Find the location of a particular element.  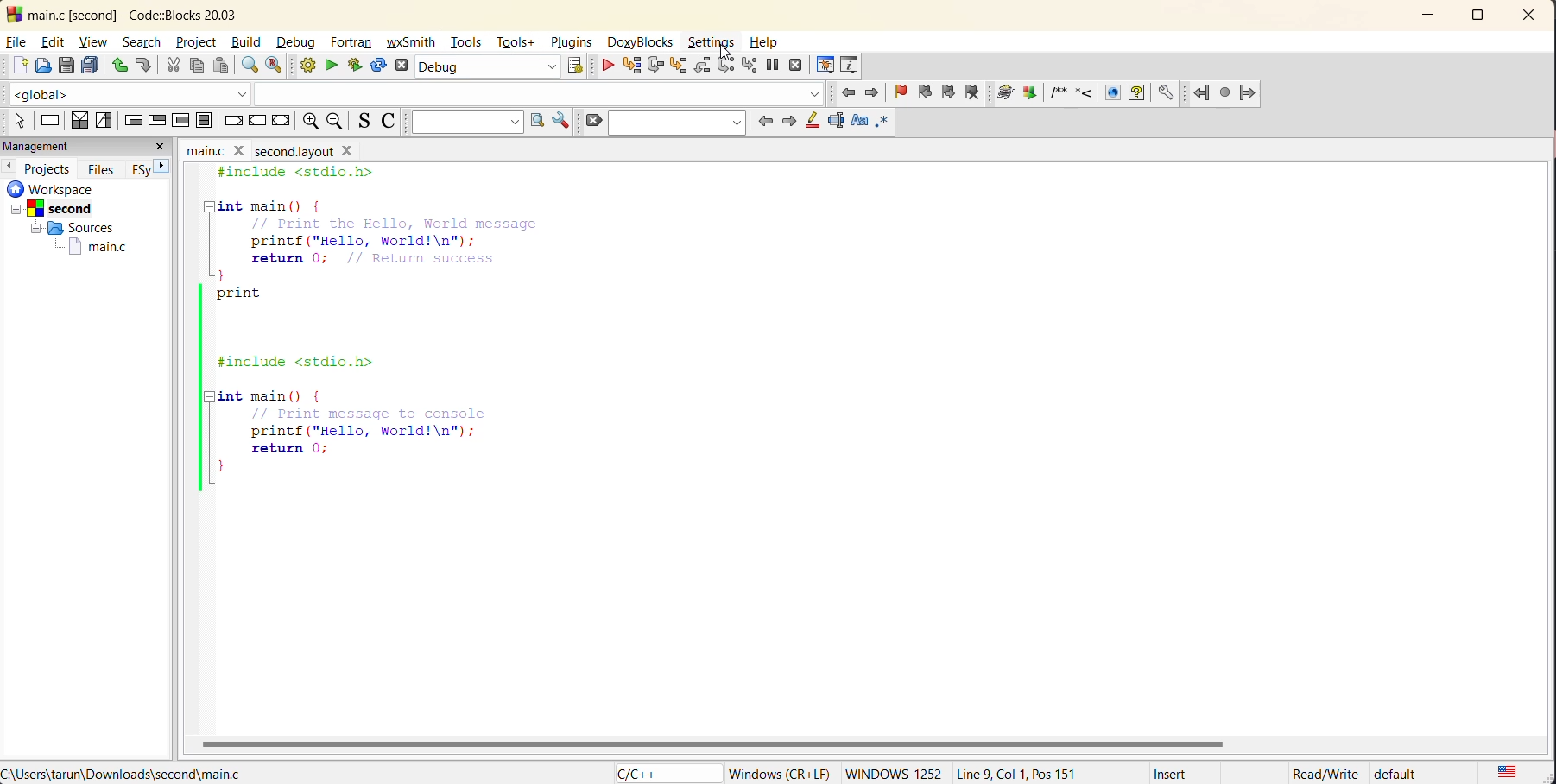

previous is located at coordinates (762, 121).